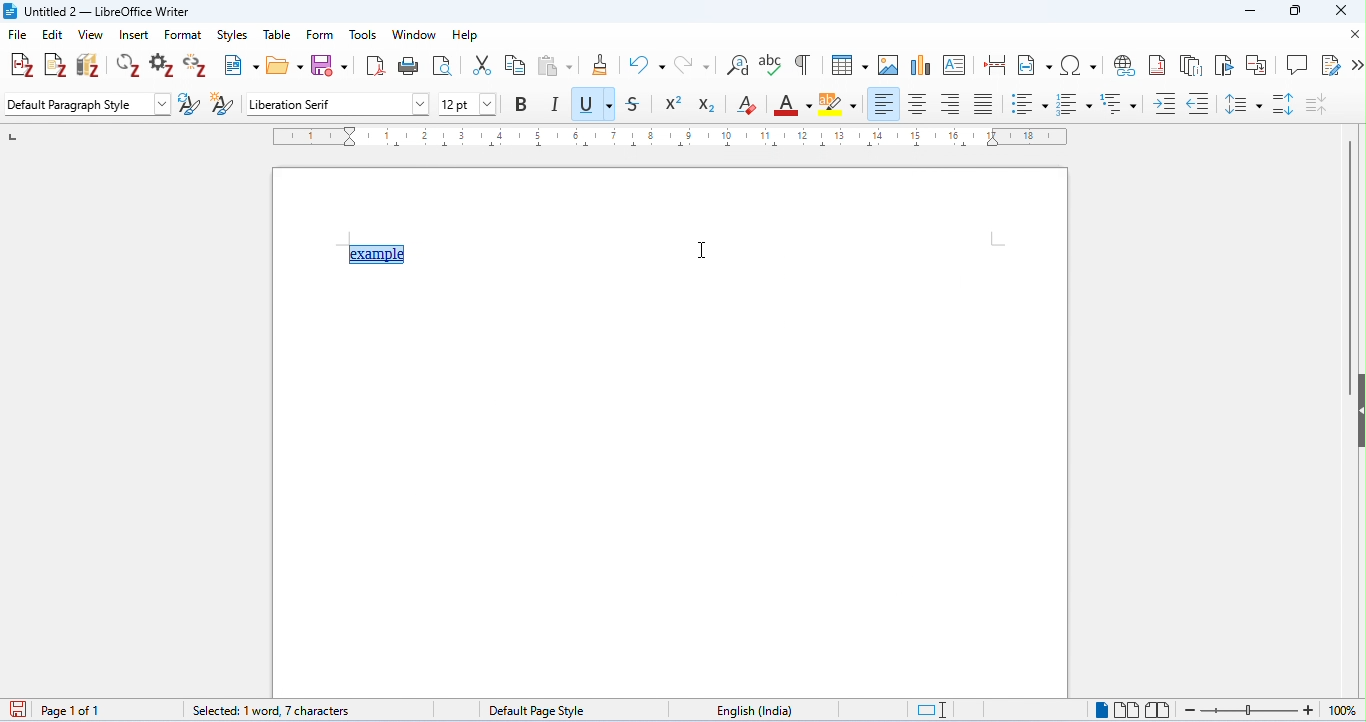 This screenshot has width=1366, height=722. I want to click on close document, so click(1354, 35).